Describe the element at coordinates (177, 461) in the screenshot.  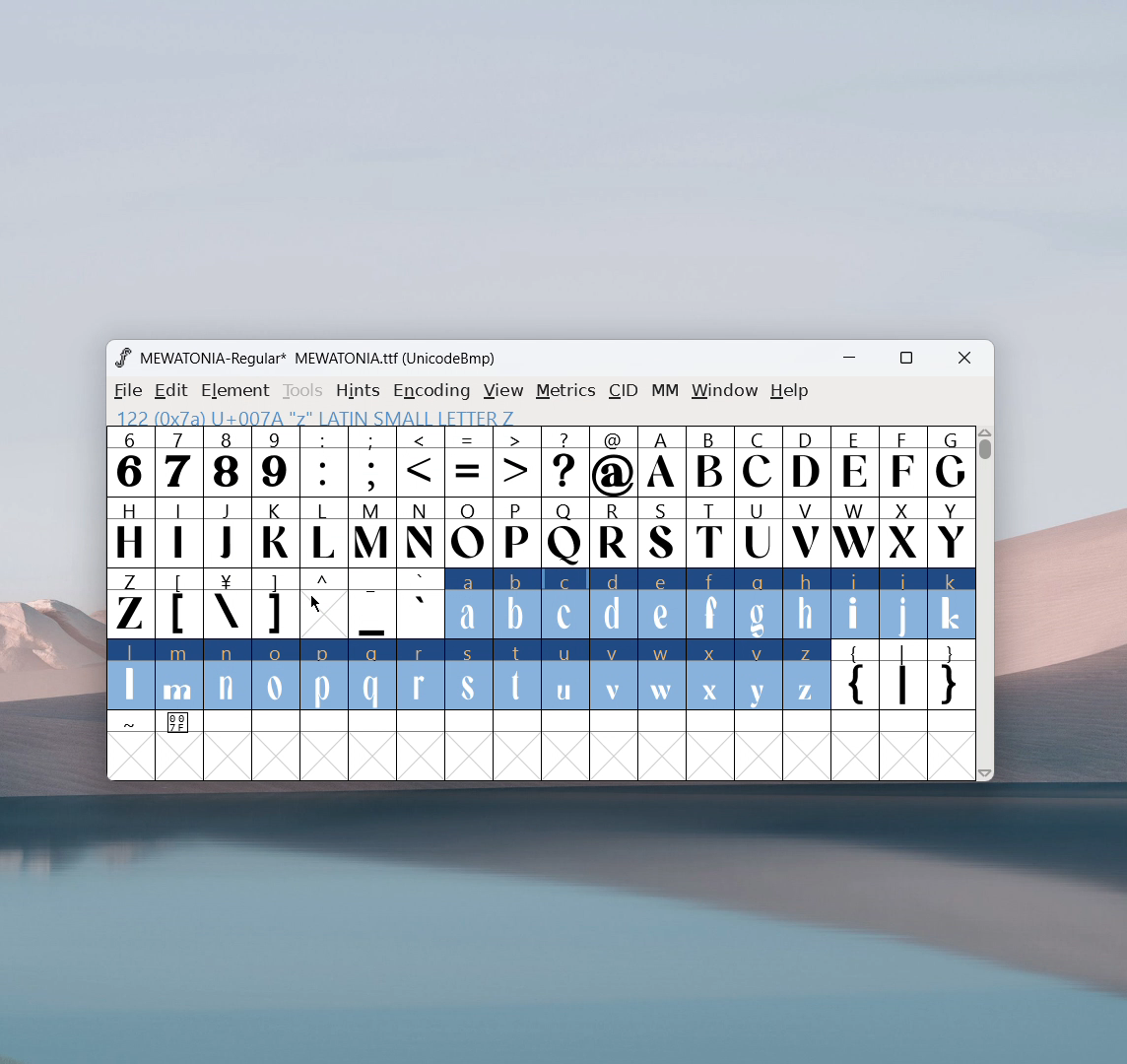
I see `7` at that location.